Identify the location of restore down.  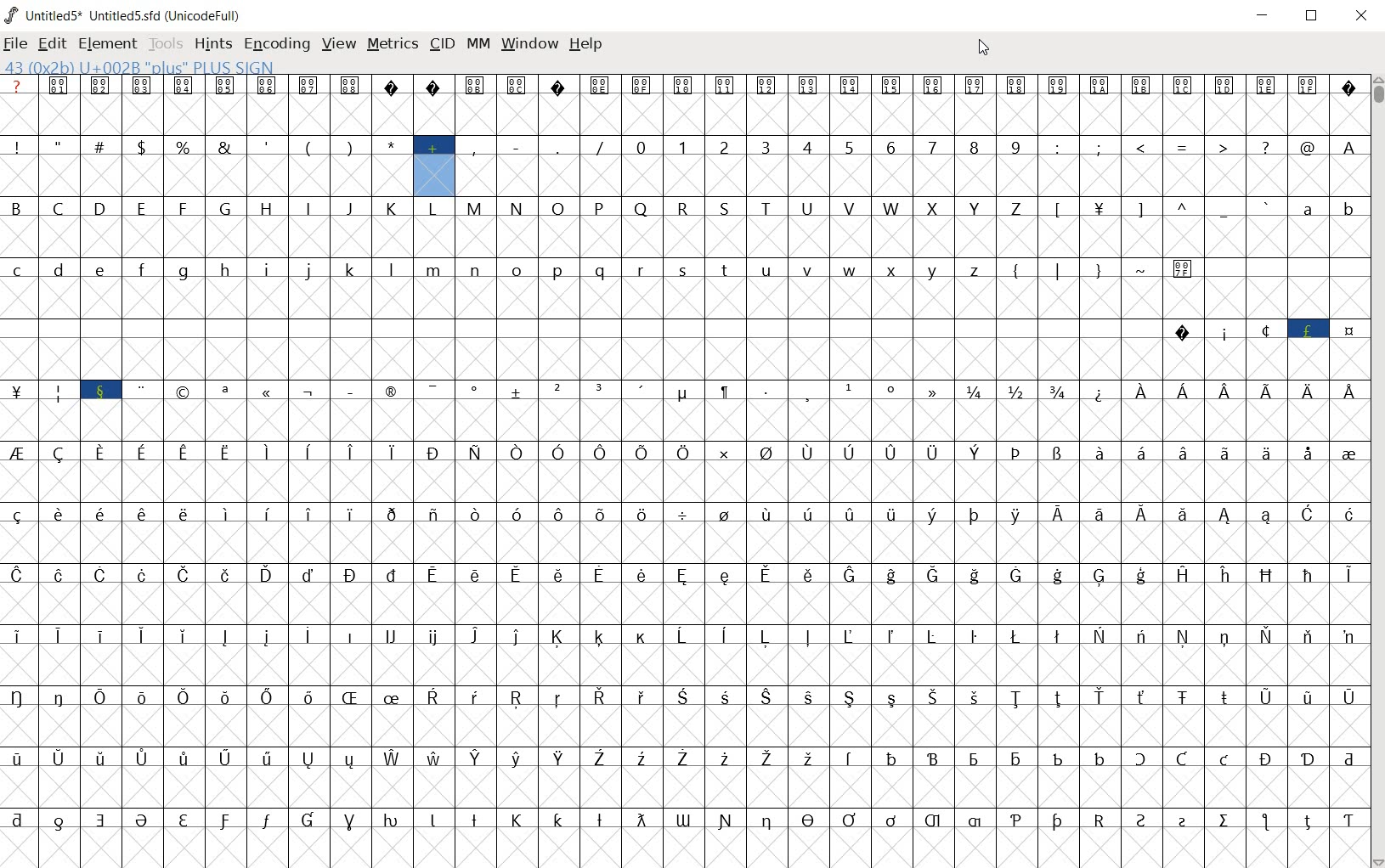
(1310, 17).